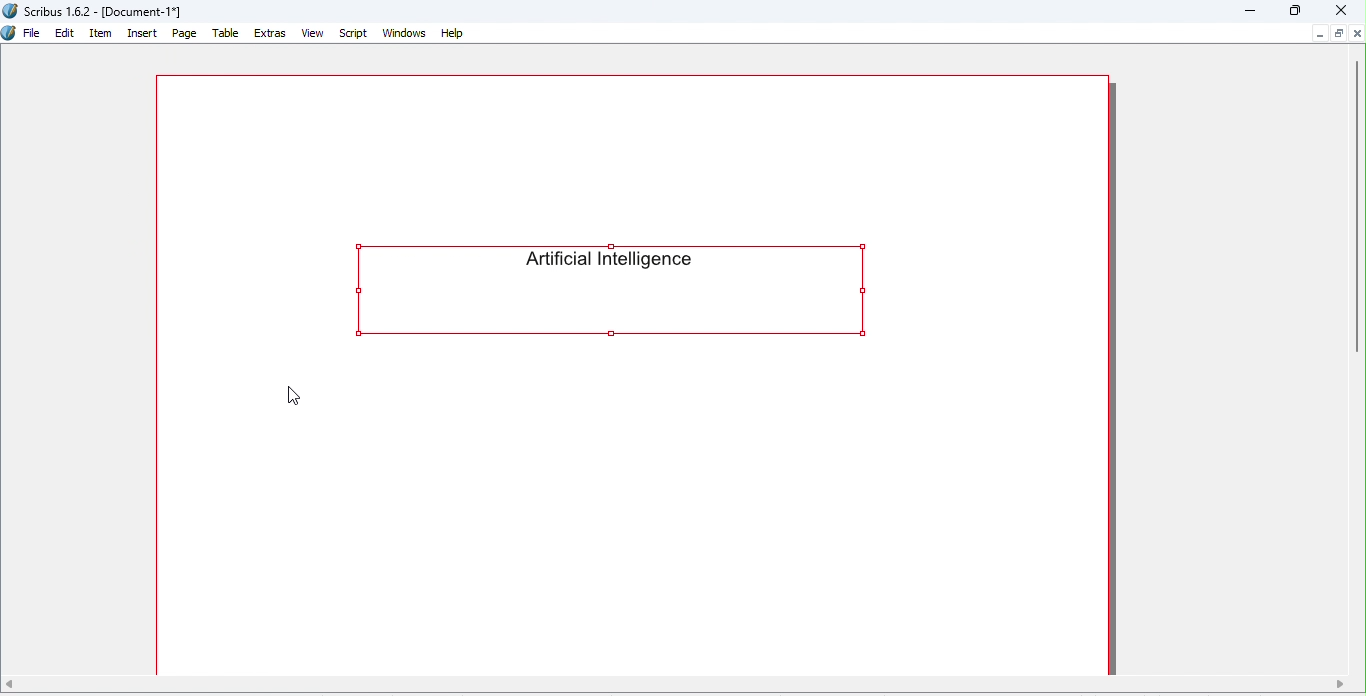  What do you see at coordinates (141, 33) in the screenshot?
I see `Insert` at bounding box center [141, 33].